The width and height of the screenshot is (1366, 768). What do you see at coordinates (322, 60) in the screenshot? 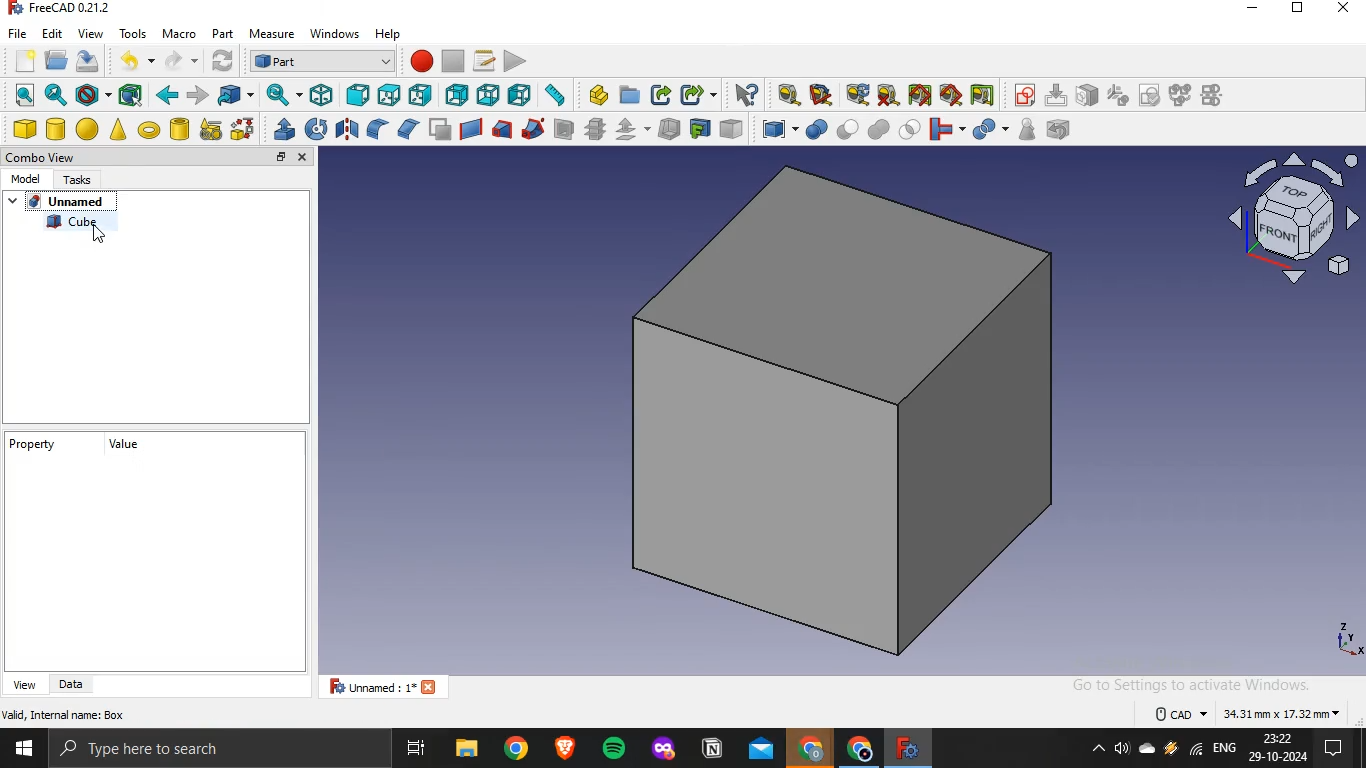
I see `workbench` at bounding box center [322, 60].